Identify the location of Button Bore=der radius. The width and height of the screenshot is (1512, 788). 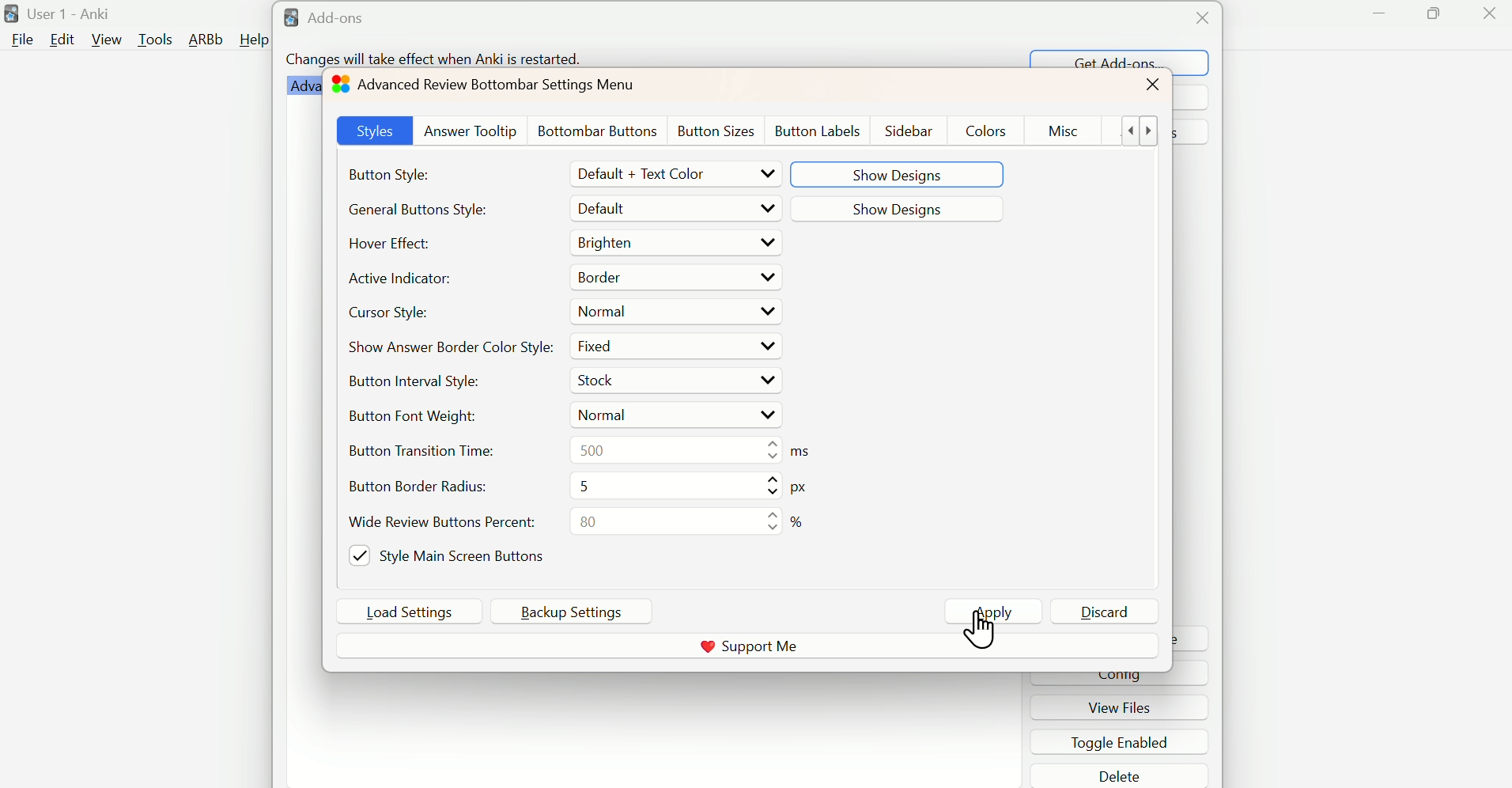
(417, 485).